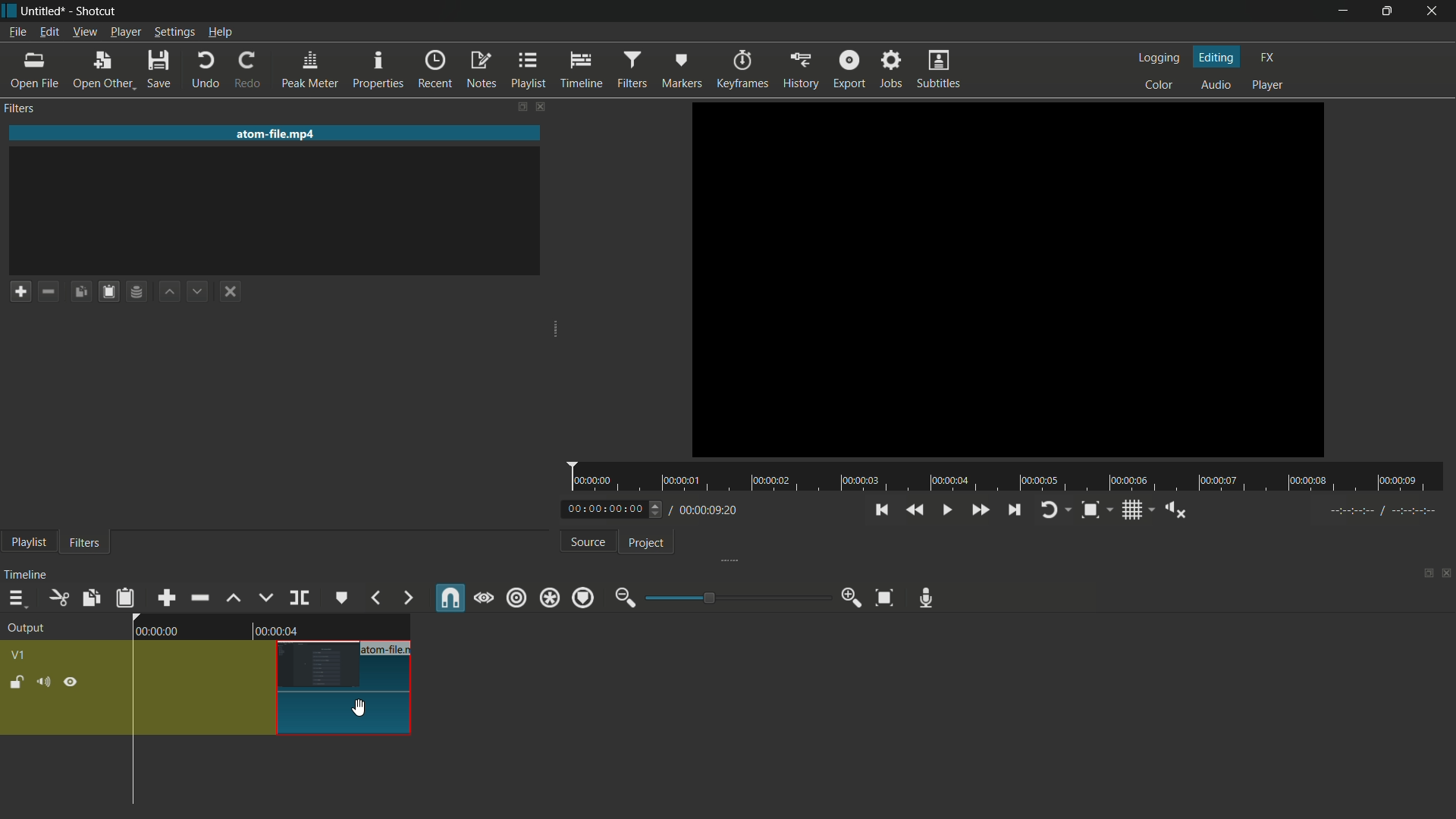 The image size is (1456, 819). Describe the element at coordinates (849, 71) in the screenshot. I see `export` at that location.